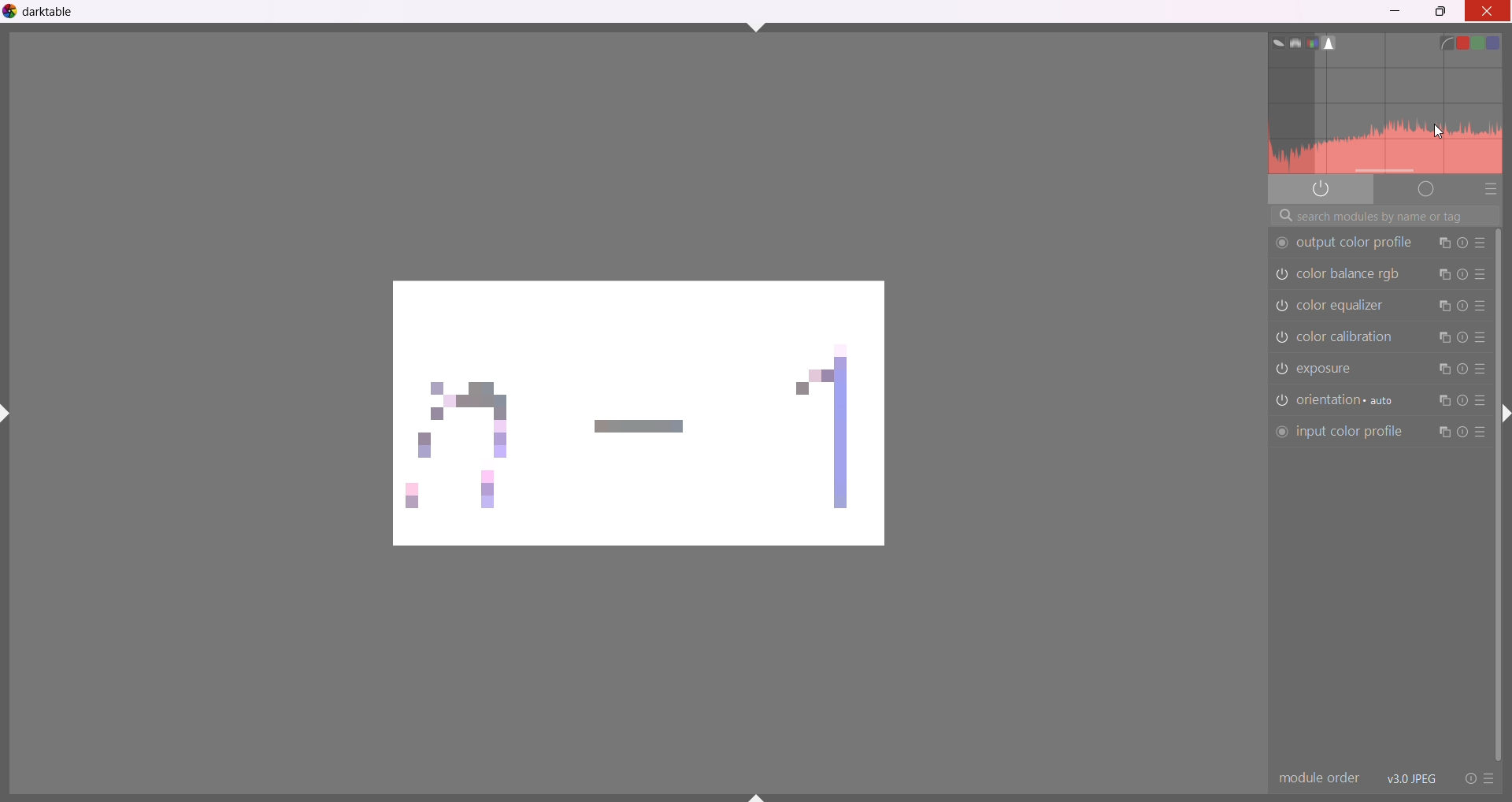 The width and height of the screenshot is (1512, 802). Describe the element at coordinates (1280, 277) in the screenshot. I see `color balance rgb switched off` at that location.